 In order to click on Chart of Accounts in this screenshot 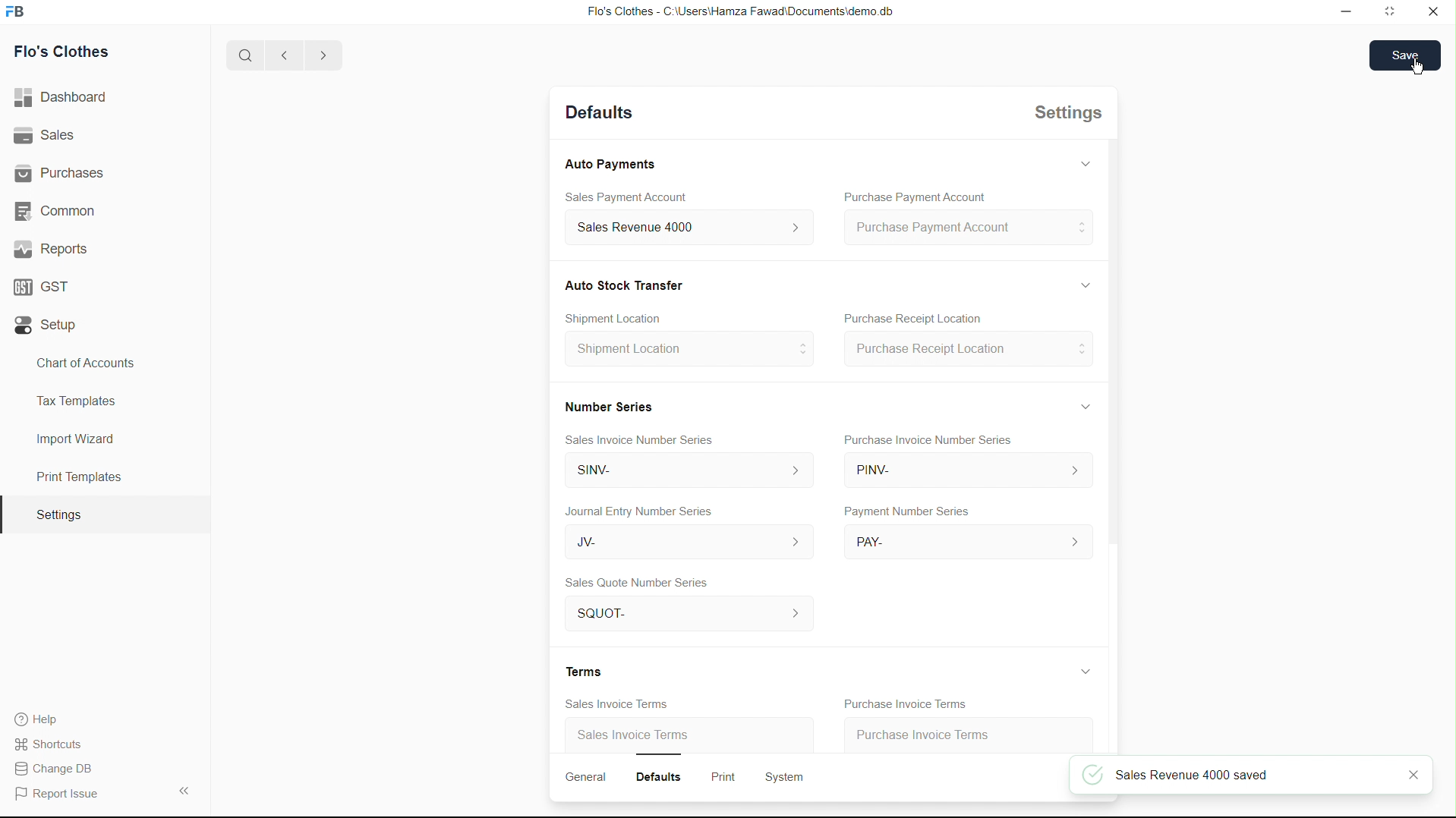, I will do `click(81, 363)`.